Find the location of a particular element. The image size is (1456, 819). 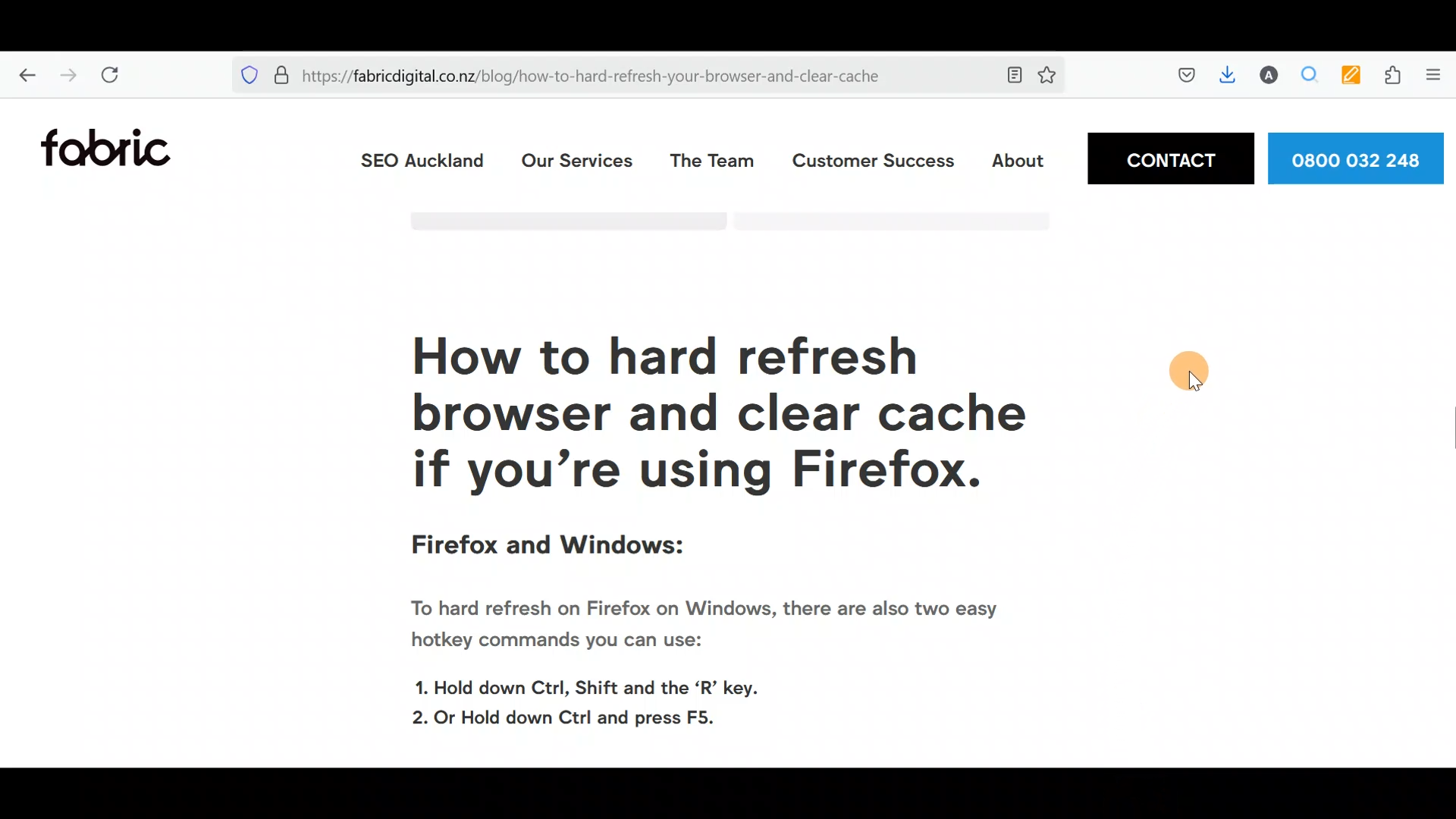

Fabric is located at coordinates (111, 148).